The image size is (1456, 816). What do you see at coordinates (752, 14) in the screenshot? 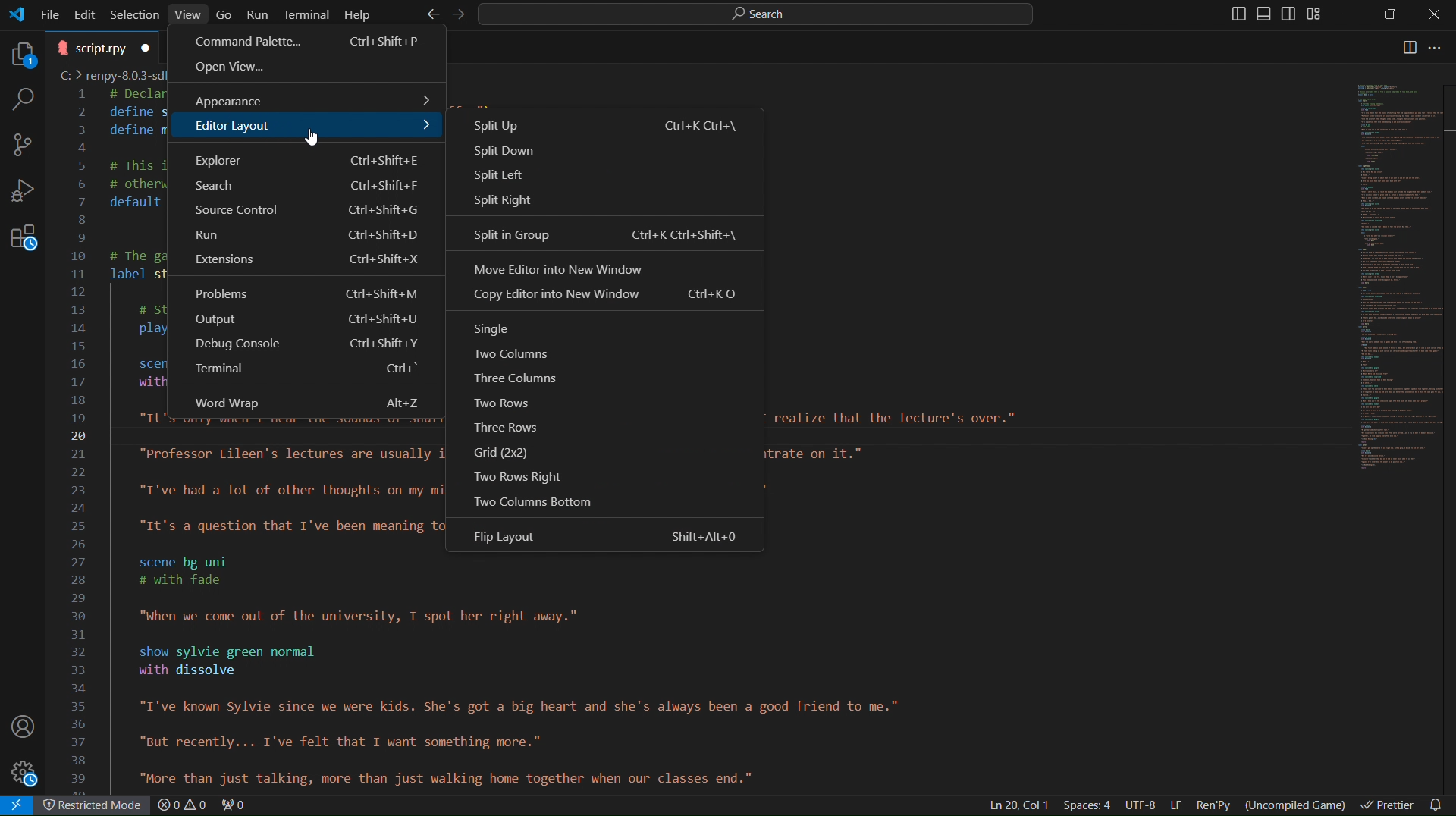
I see `Search bar` at bounding box center [752, 14].